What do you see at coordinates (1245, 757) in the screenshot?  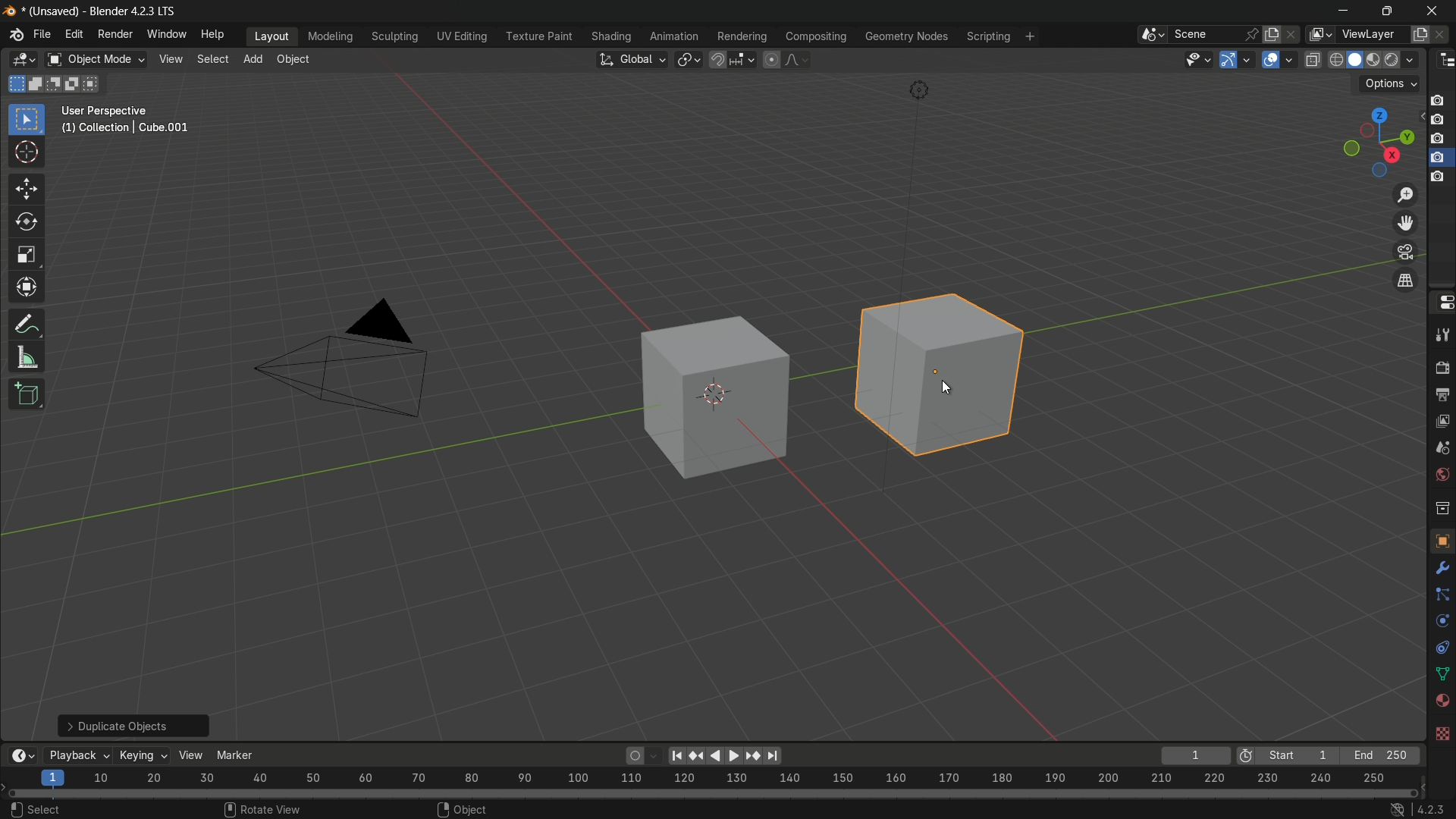 I see `use preview range` at bounding box center [1245, 757].